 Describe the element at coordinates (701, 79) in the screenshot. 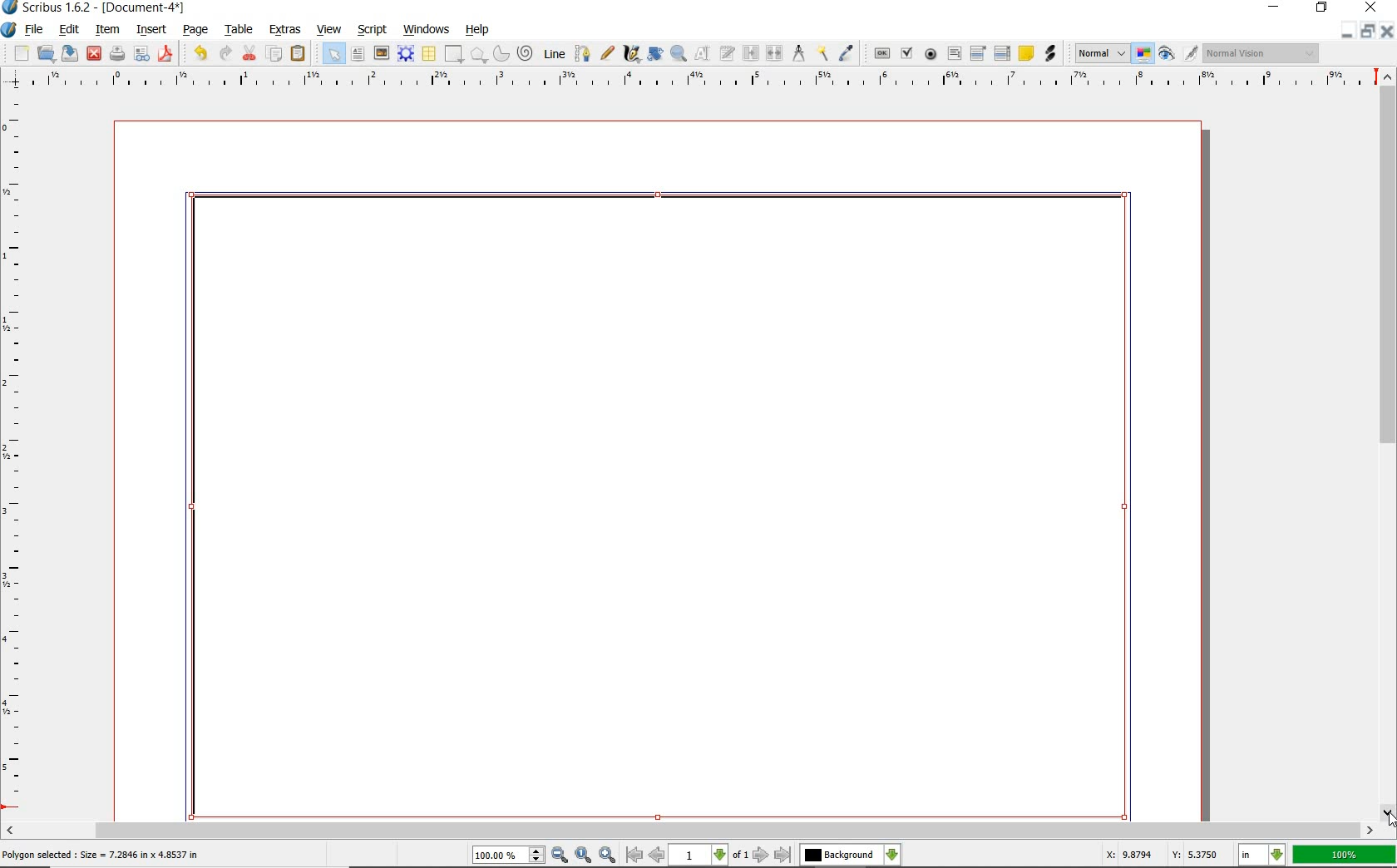

I see `ruler` at that location.